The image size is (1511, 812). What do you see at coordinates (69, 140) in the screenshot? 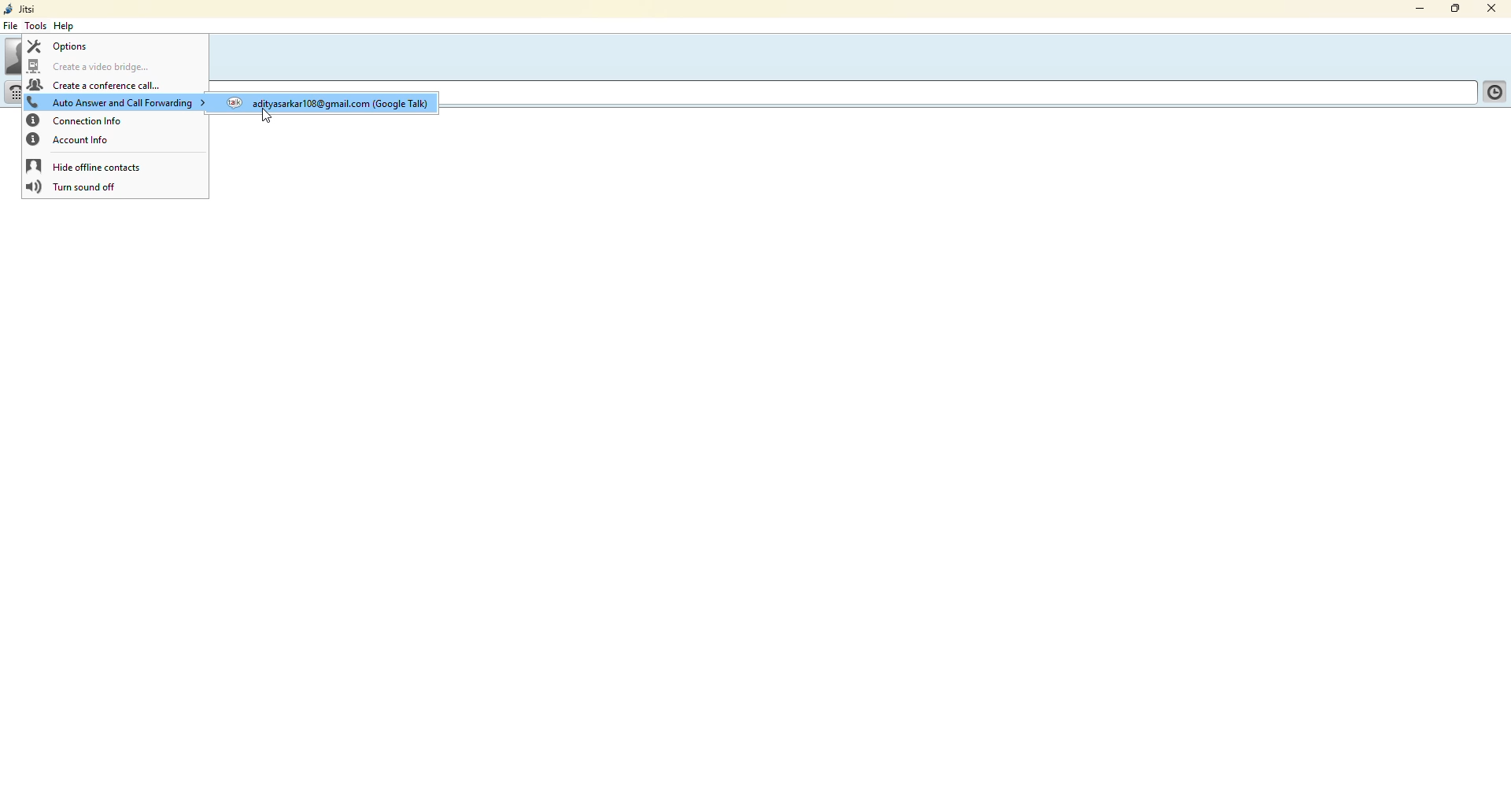
I see `account info` at bounding box center [69, 140].